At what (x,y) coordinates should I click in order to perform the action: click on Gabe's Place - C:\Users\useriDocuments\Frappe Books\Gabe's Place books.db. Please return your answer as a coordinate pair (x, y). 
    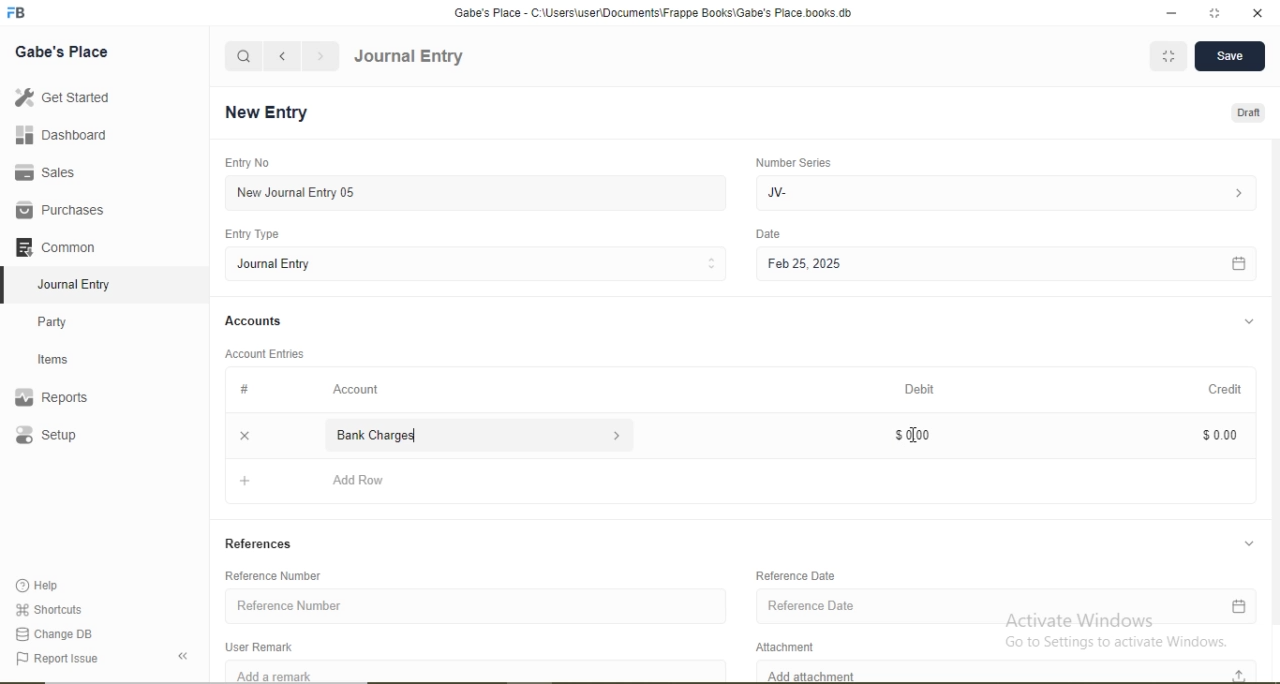
    Looking at the image, I should click on (655, 12).